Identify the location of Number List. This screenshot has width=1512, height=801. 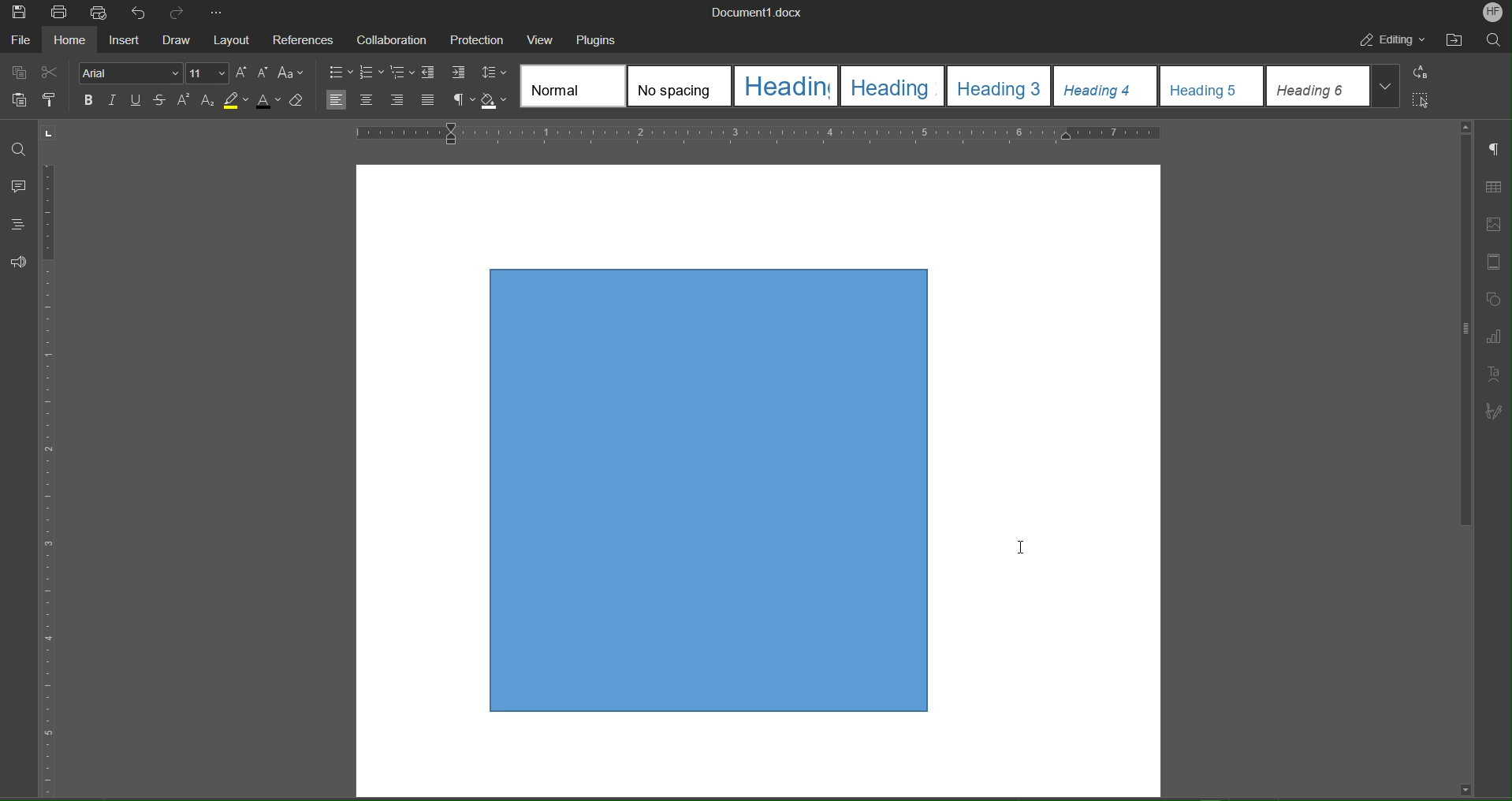
(373, 73).